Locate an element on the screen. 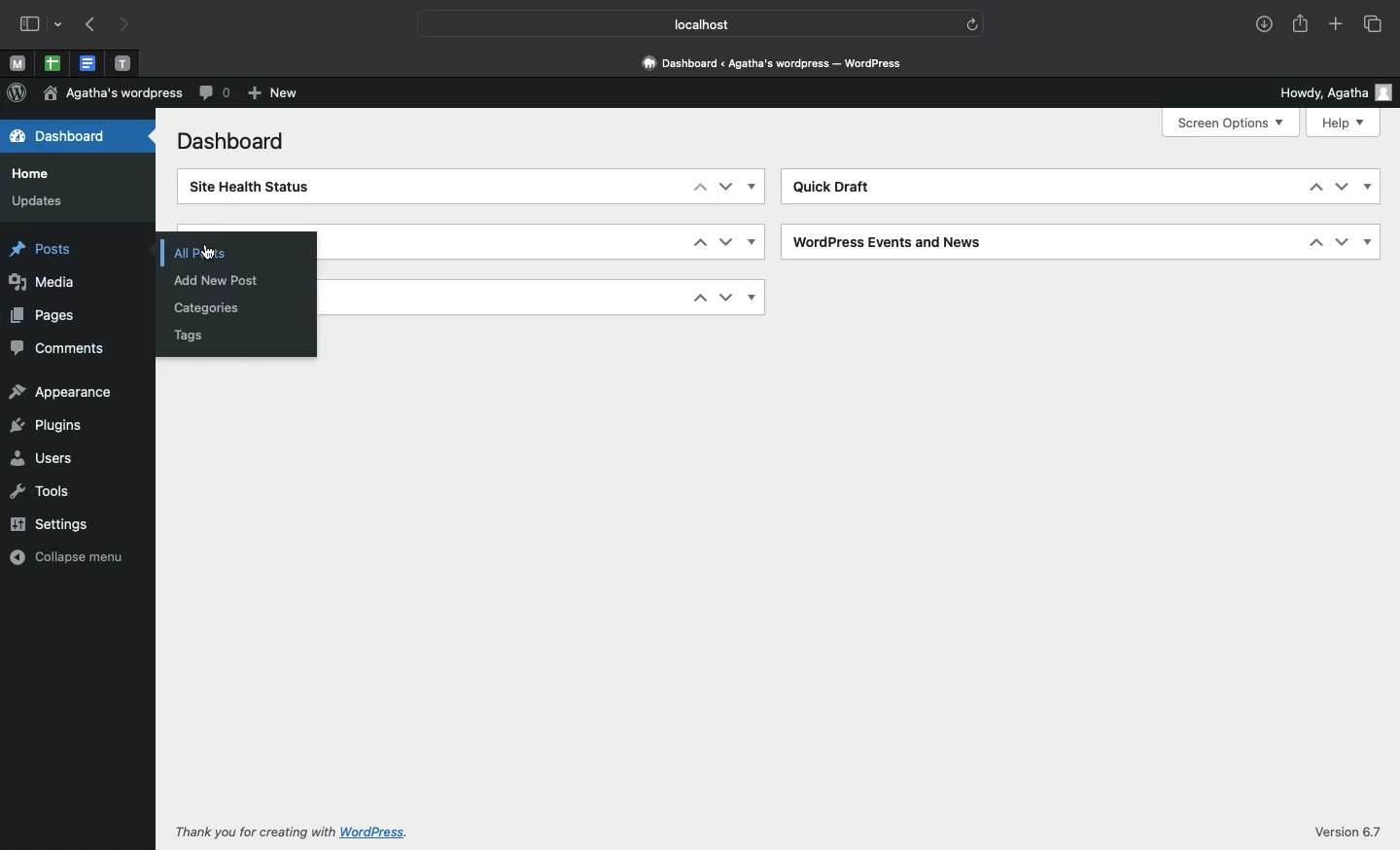 This screenshot has width=1400, height=850. Add new post is located at coordinates (220, 282).